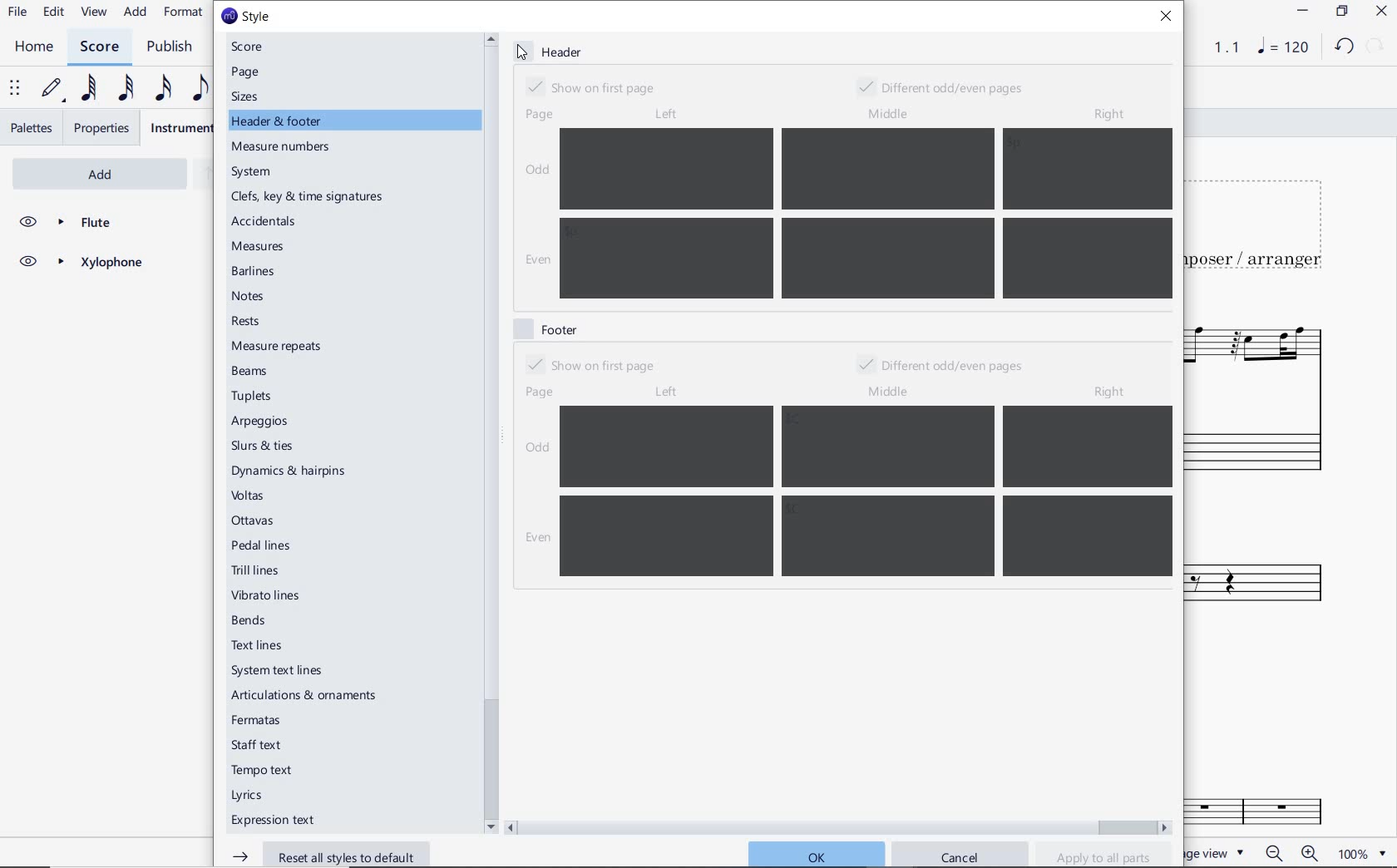 This screenshot has width=1397, height=868. I want to click on ADD, so click(78, 172).